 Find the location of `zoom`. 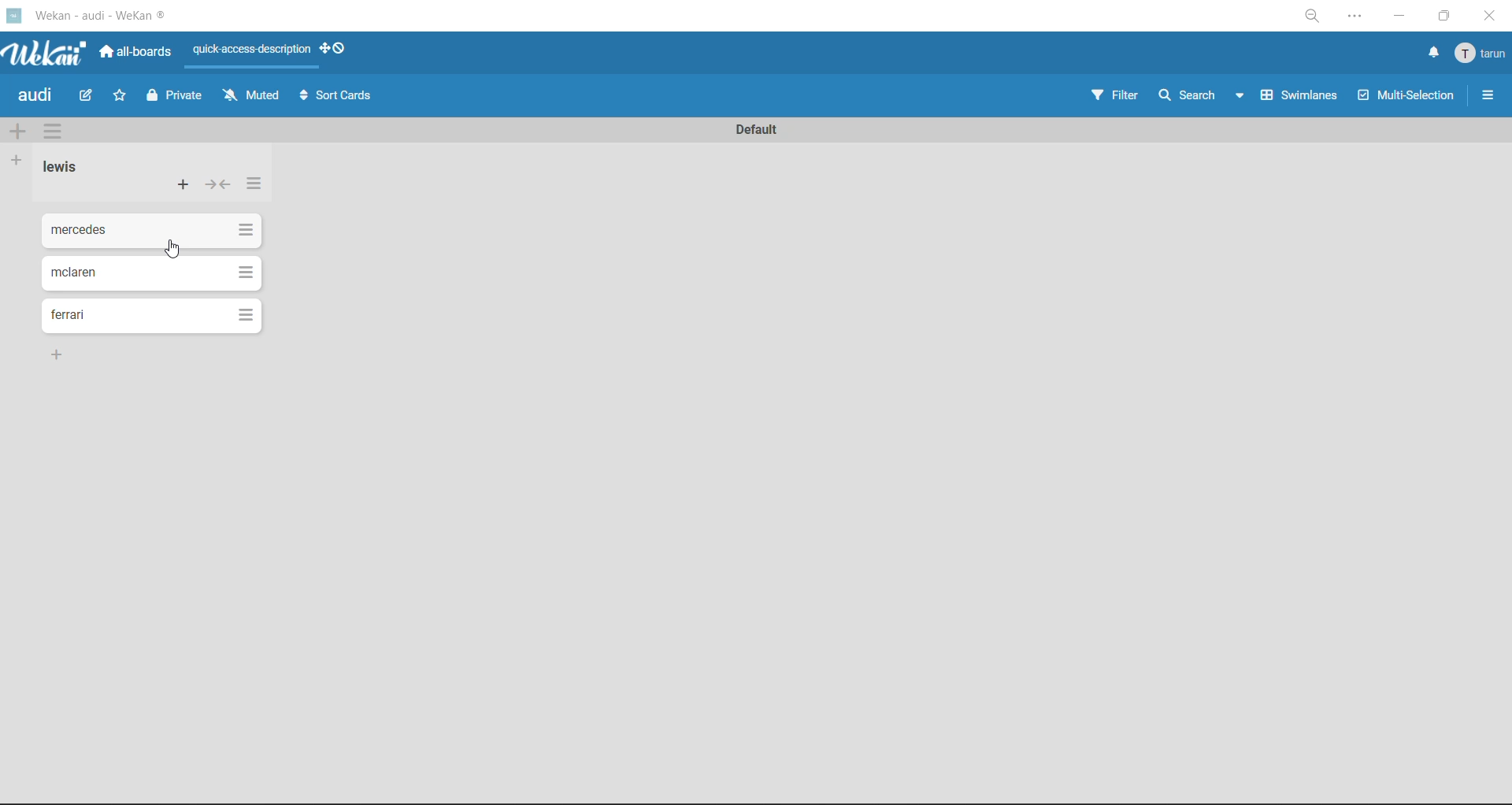

zoom is located at coordinates (1316, 20).